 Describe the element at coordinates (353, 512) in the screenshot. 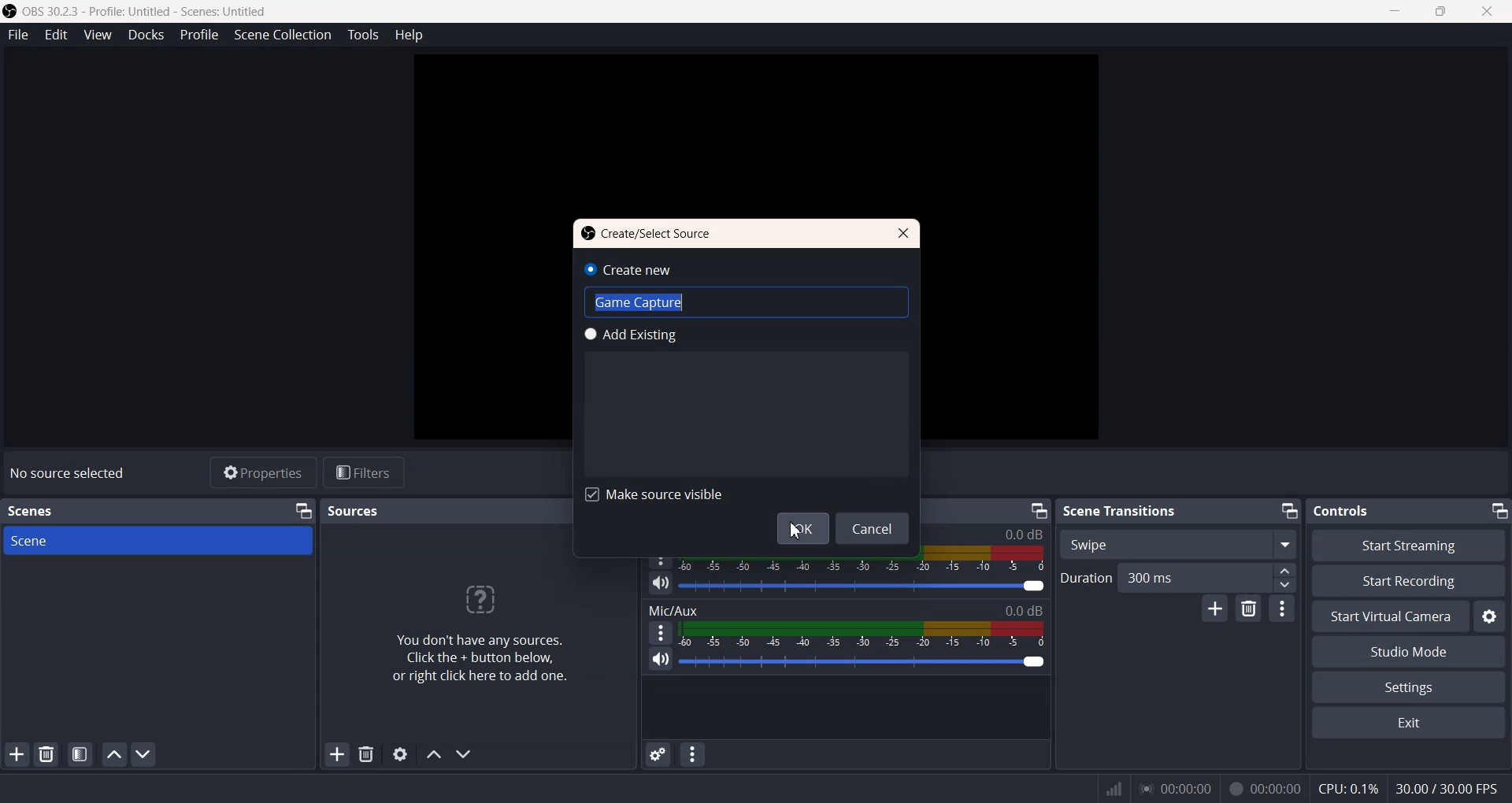

I see `Text` at that location.